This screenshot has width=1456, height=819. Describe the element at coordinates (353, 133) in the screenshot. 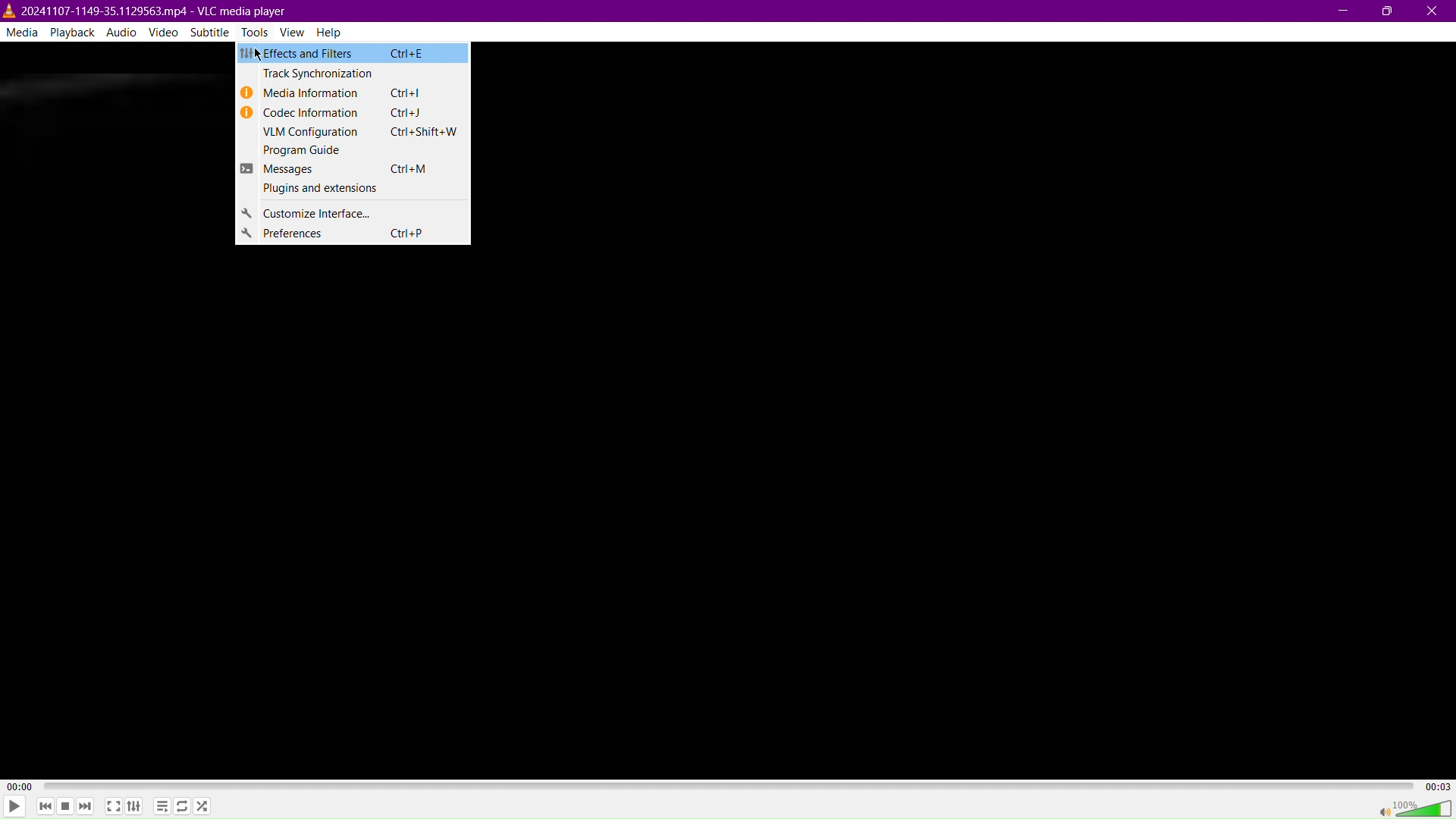

I see `VLM Configuration` at that location.